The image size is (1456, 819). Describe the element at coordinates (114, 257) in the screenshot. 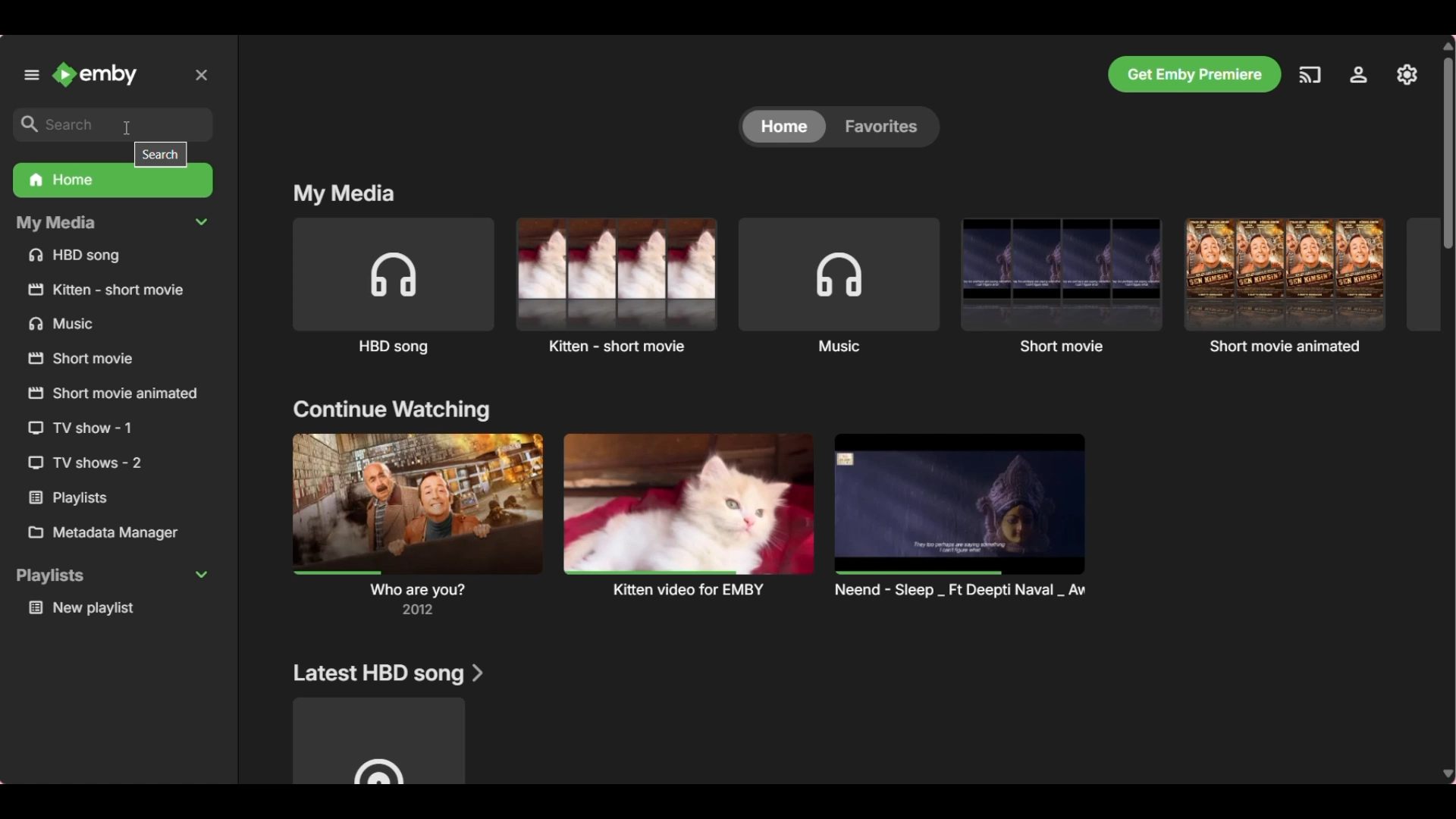

I see `Media files/folders under My Media` at that location.